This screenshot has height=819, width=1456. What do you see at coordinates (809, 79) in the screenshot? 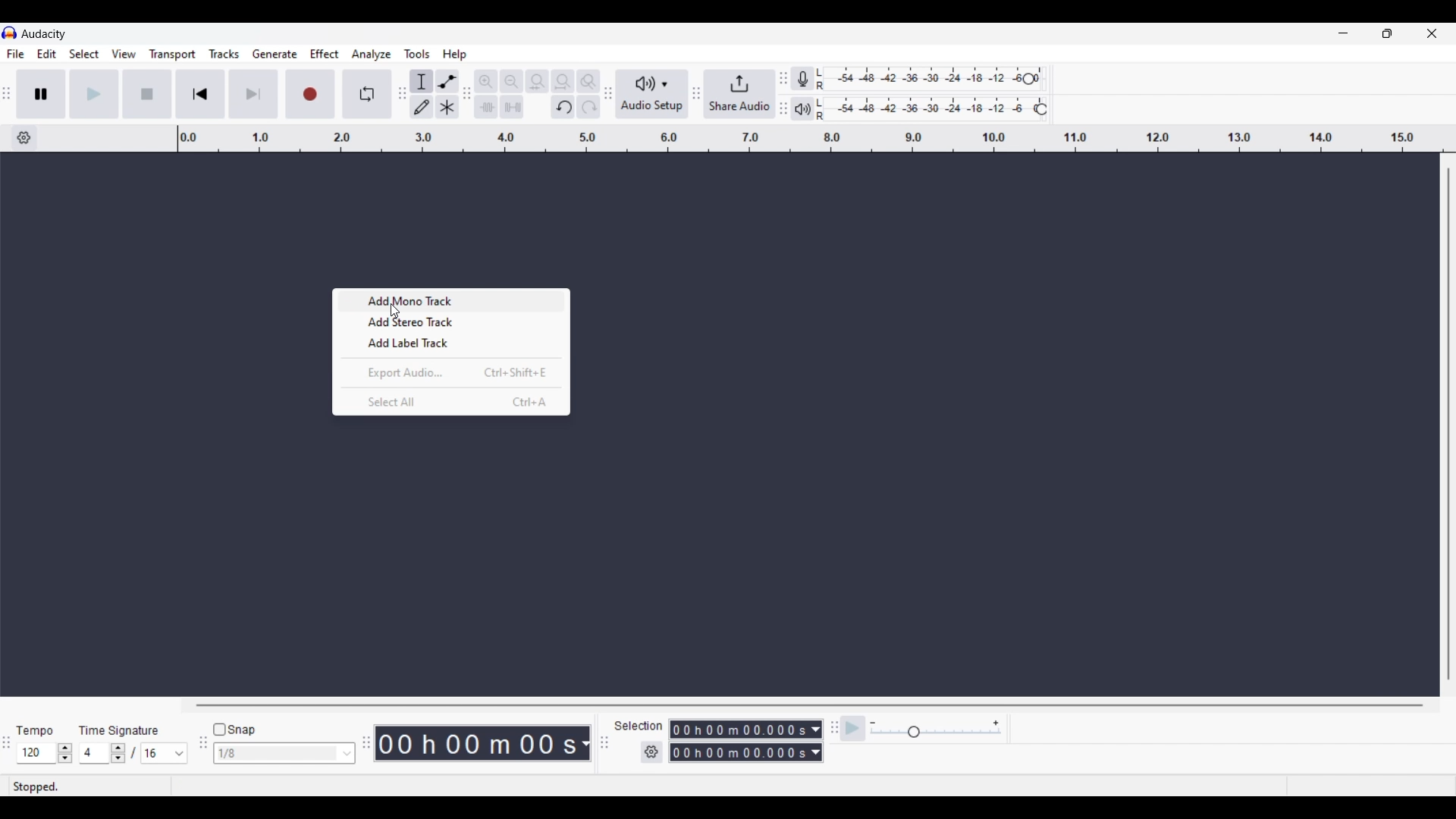
I see `Record meter` at bounding box center [809, 79].